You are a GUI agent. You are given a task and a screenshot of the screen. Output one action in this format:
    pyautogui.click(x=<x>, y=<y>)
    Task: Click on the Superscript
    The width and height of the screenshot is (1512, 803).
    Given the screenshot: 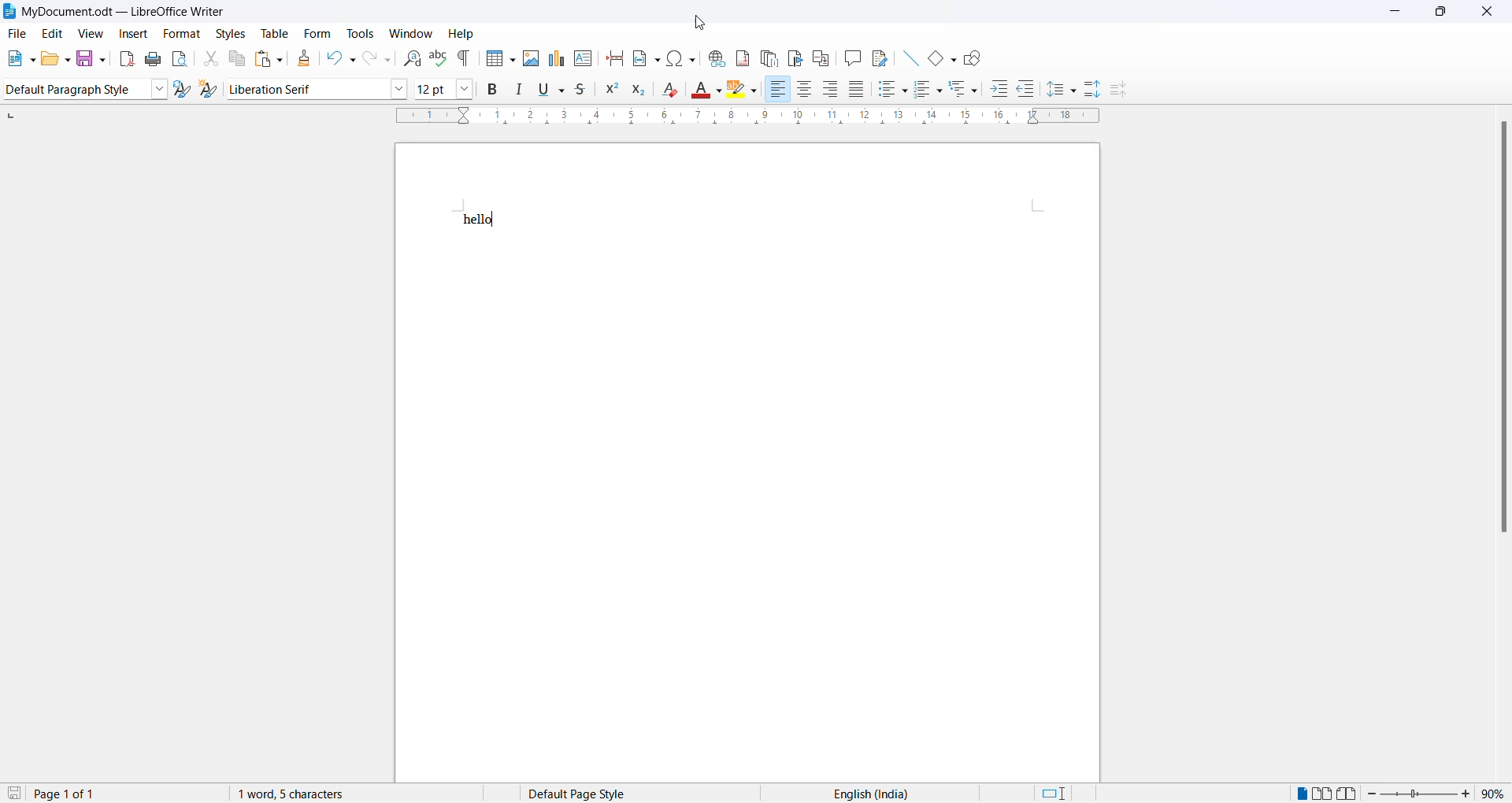 What is the action you would take?
    pyautogui.click(x=609, y=91)
    